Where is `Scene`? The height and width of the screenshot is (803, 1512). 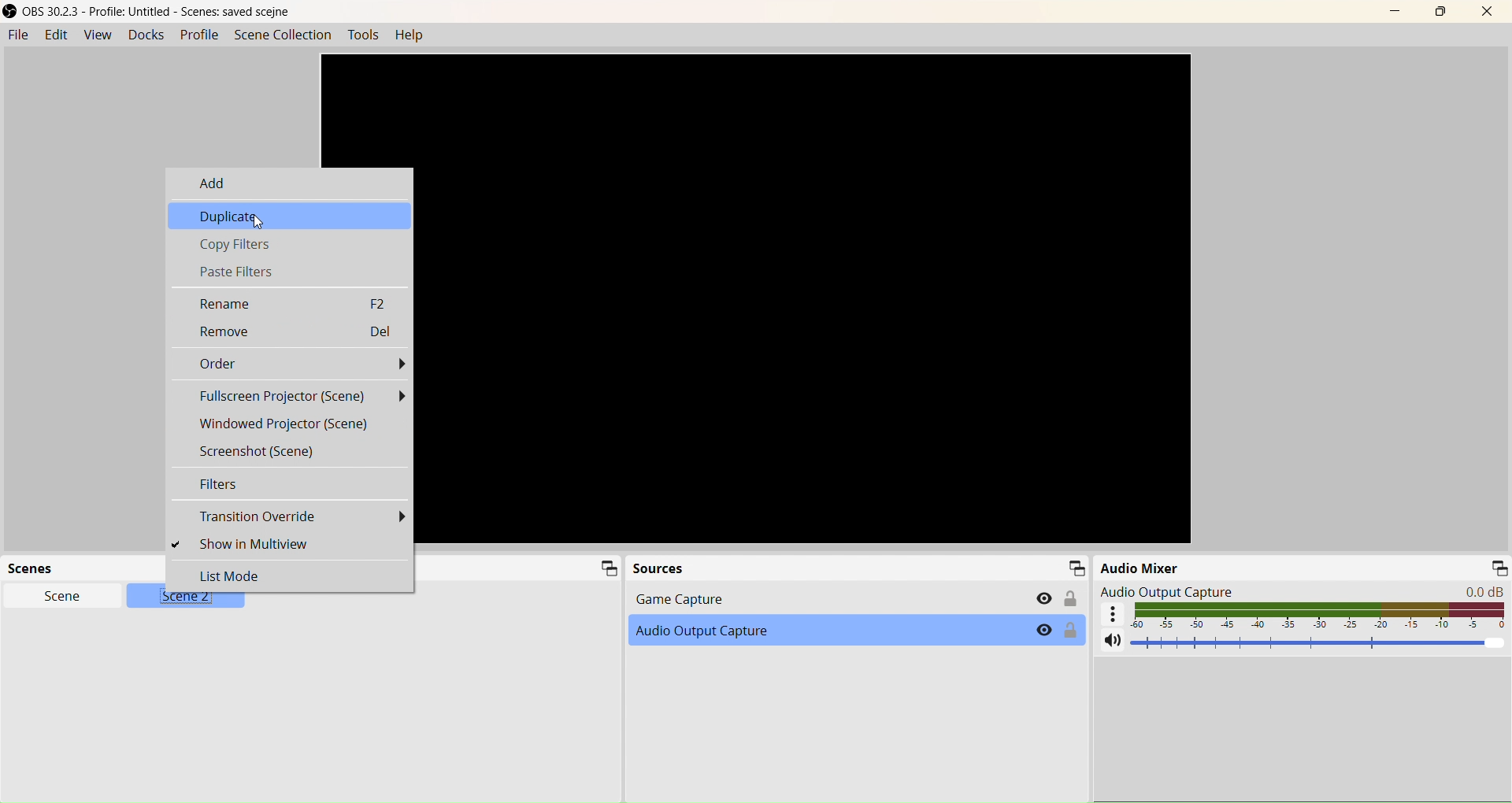 Scene is located at coordinates (62, 596).